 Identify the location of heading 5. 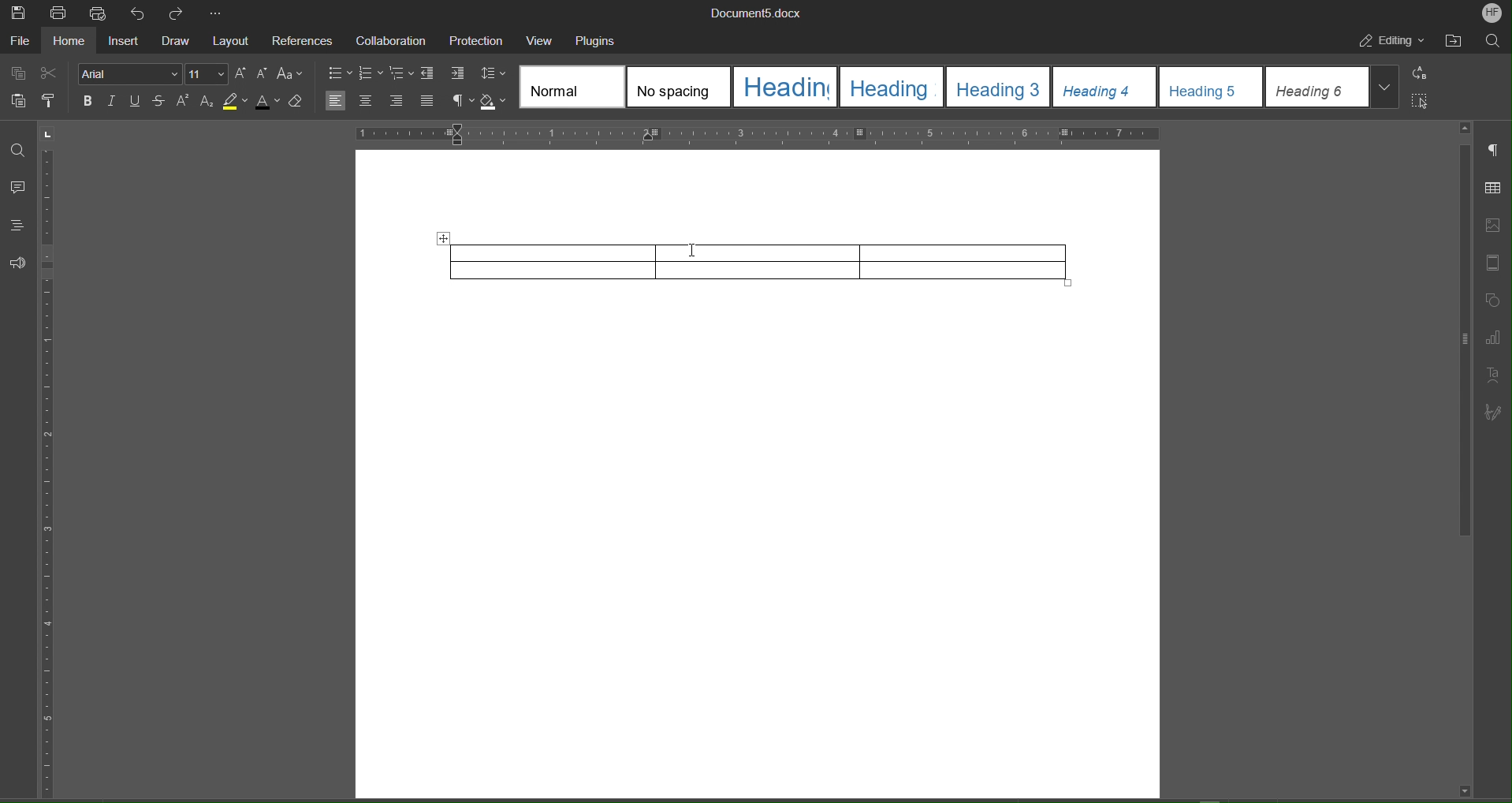
(1212, 87).